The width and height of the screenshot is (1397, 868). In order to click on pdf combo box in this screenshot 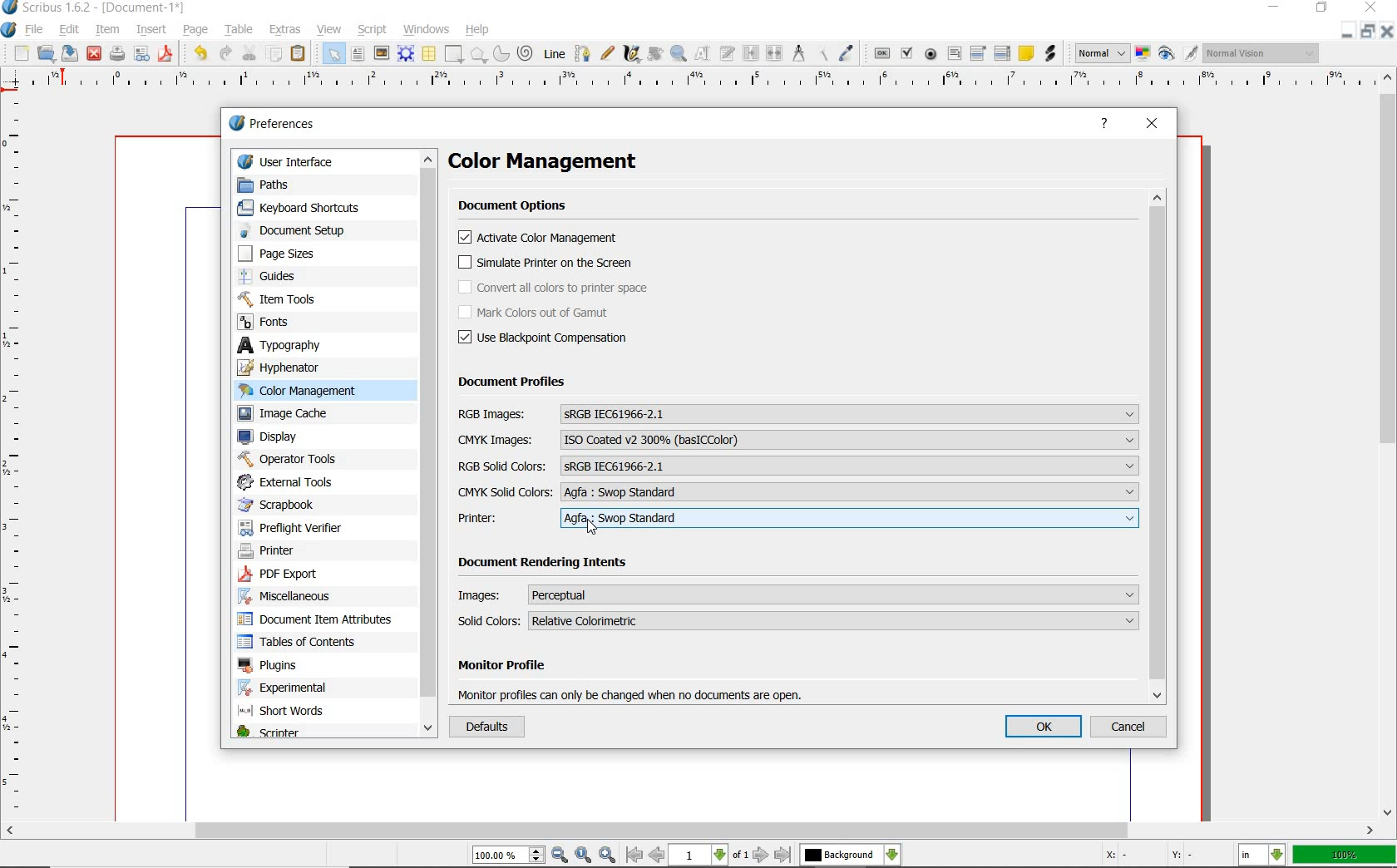, I will do `click(981, 52)`.